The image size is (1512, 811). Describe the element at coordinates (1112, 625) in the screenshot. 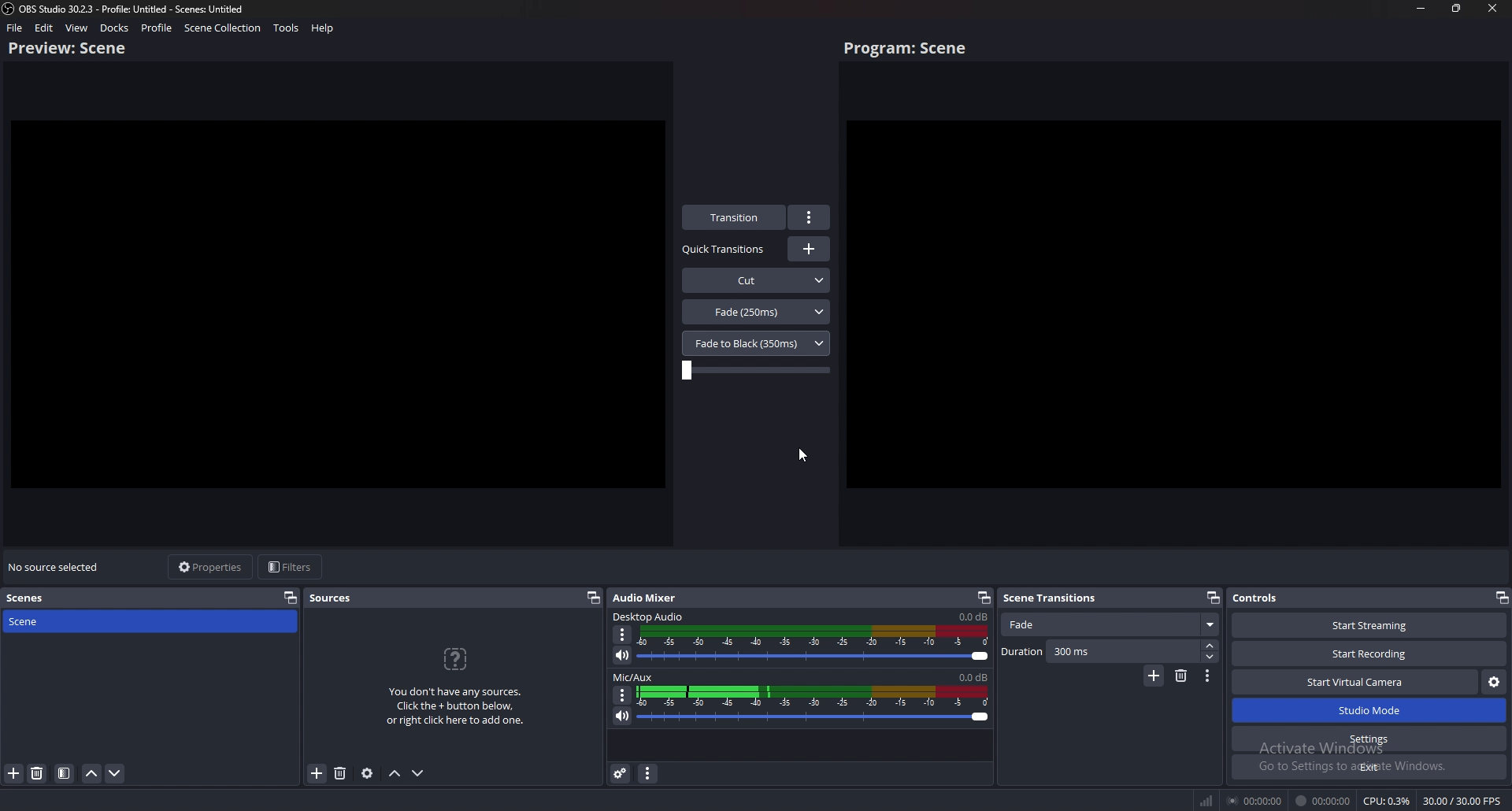

I see `Fade` at that location.